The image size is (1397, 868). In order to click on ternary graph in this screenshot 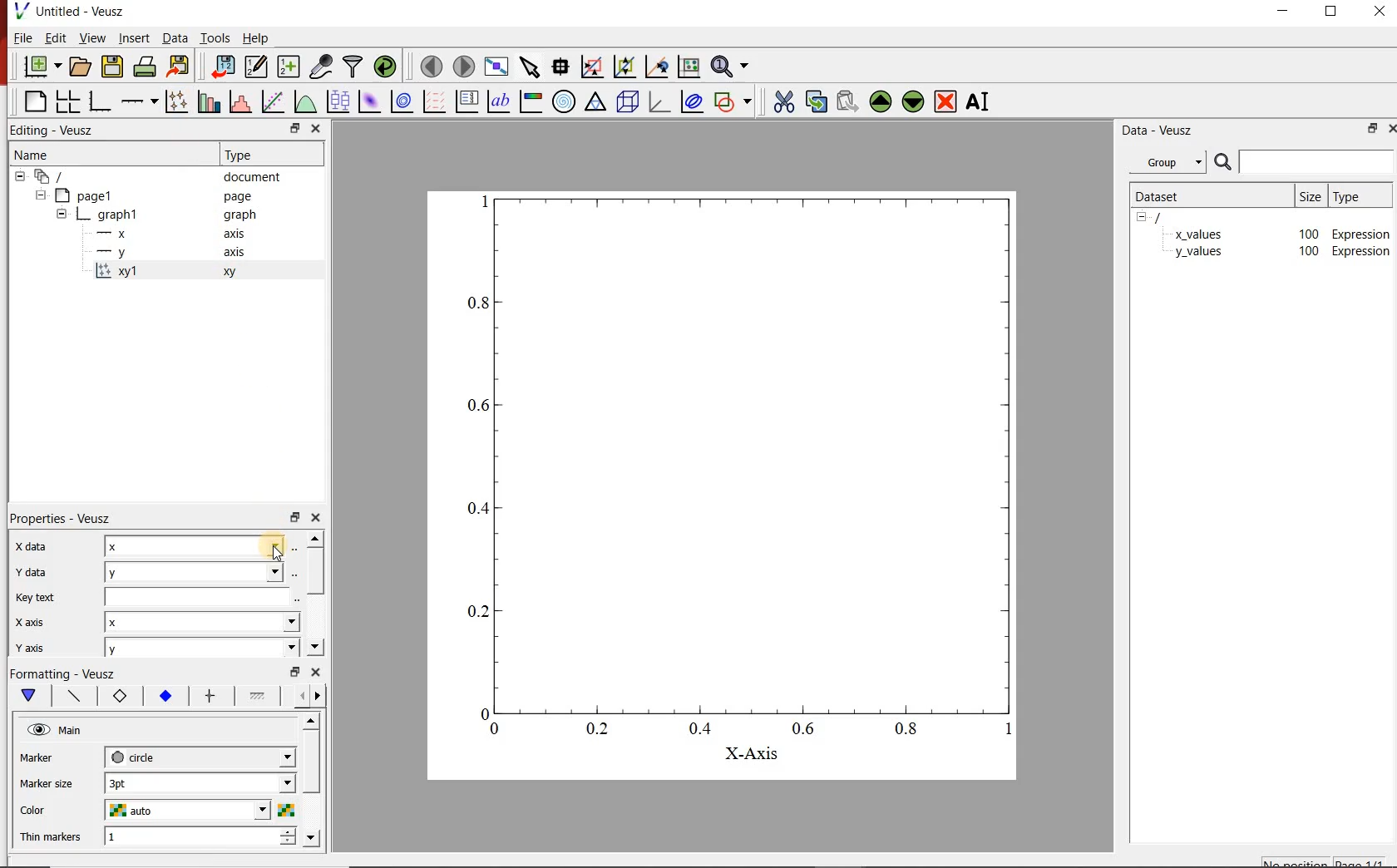, I will do `click(597, 104)`.